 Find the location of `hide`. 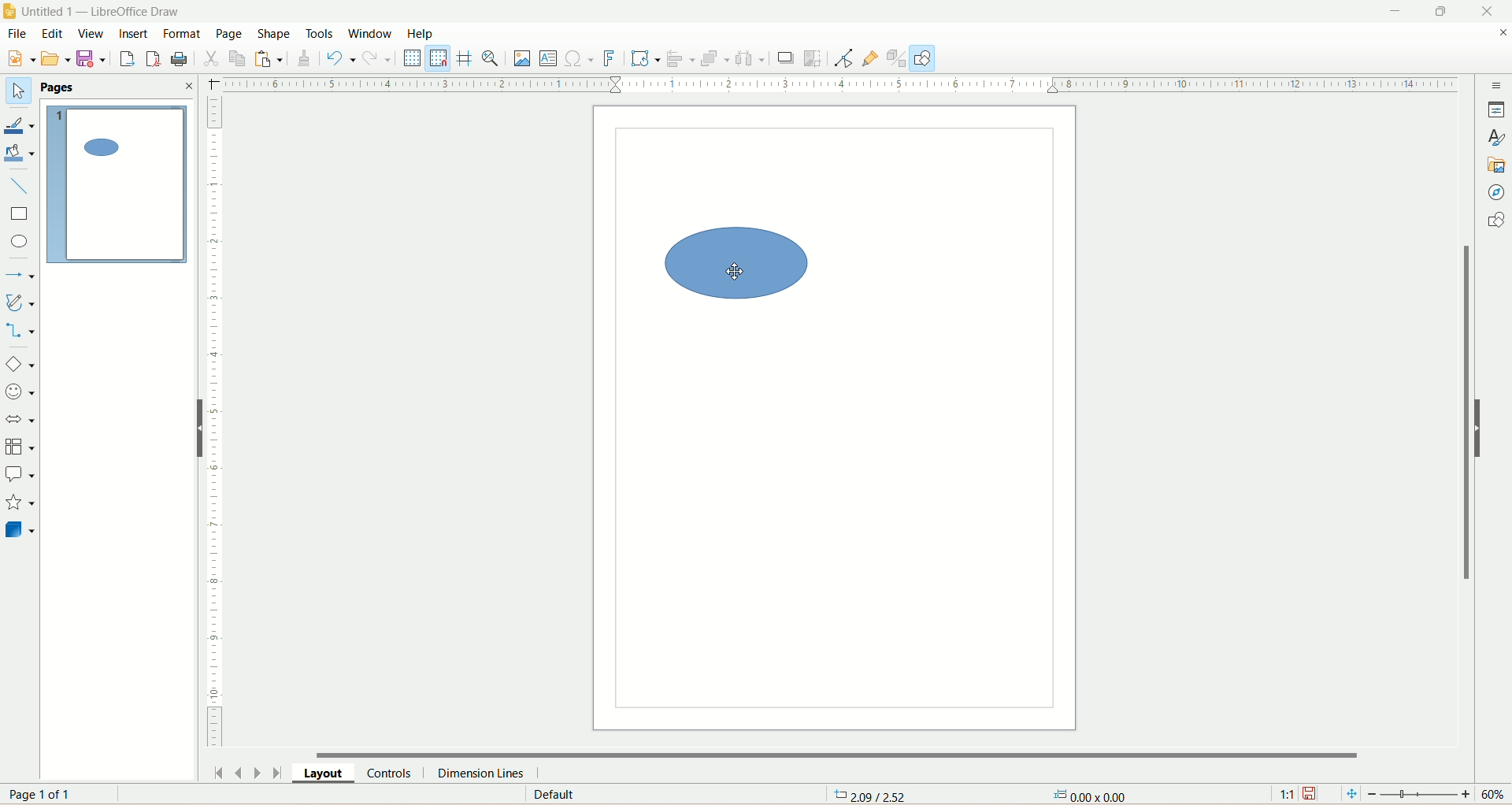

hide is located at coordinates (1482, 427).